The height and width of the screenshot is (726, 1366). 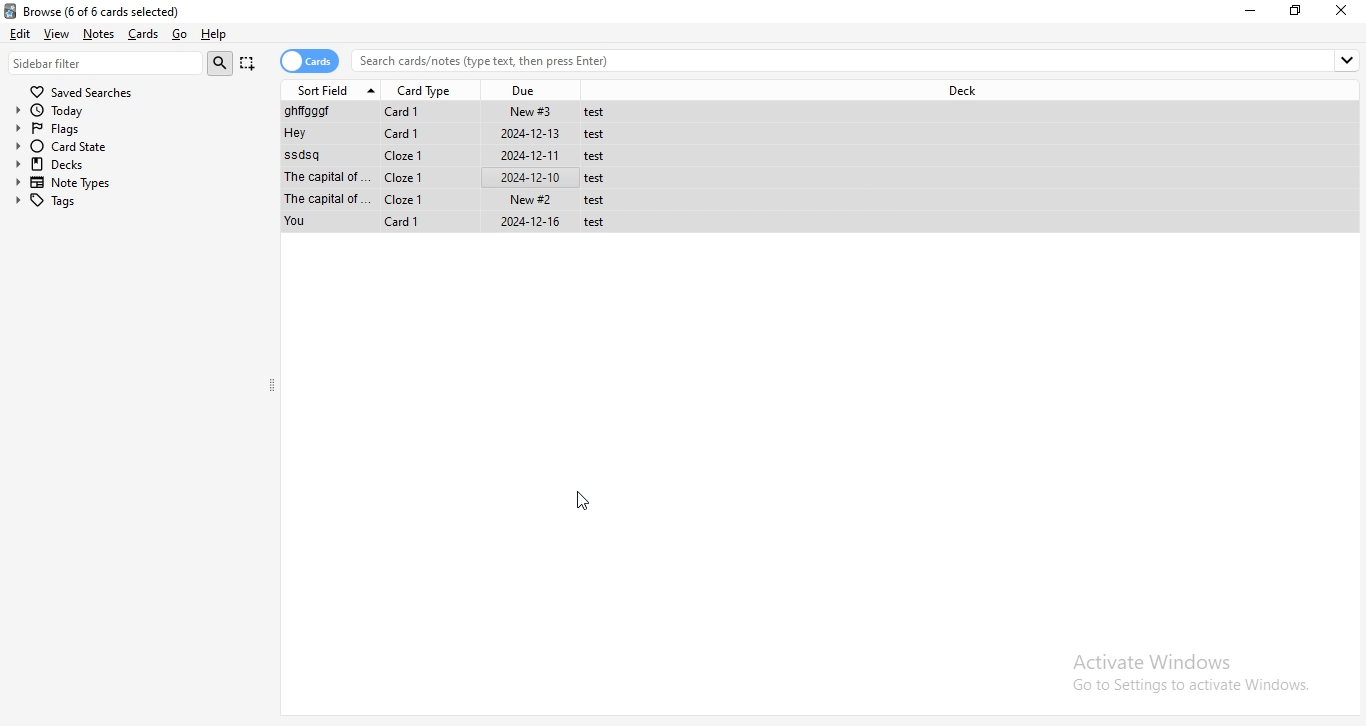 I want to click on help, so click(x=219, y=36).